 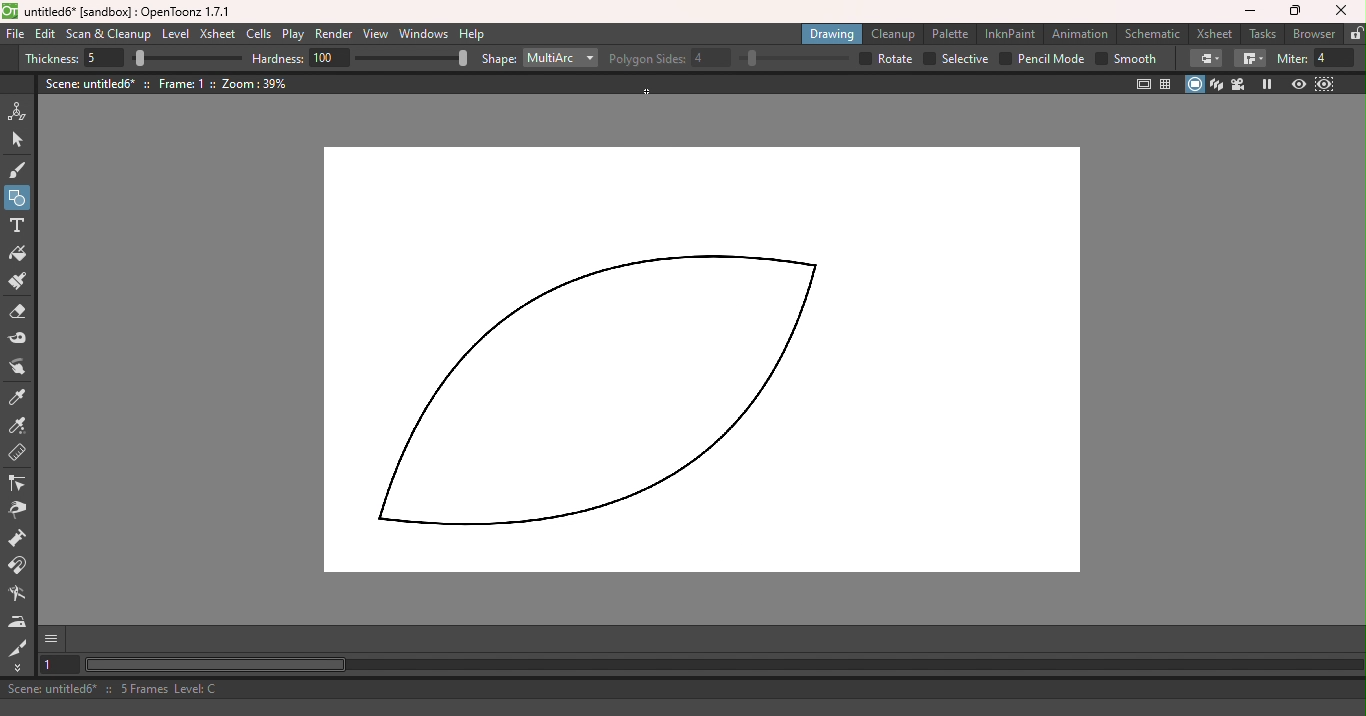 I want to click on Miter, so click(x=1316, y=59).